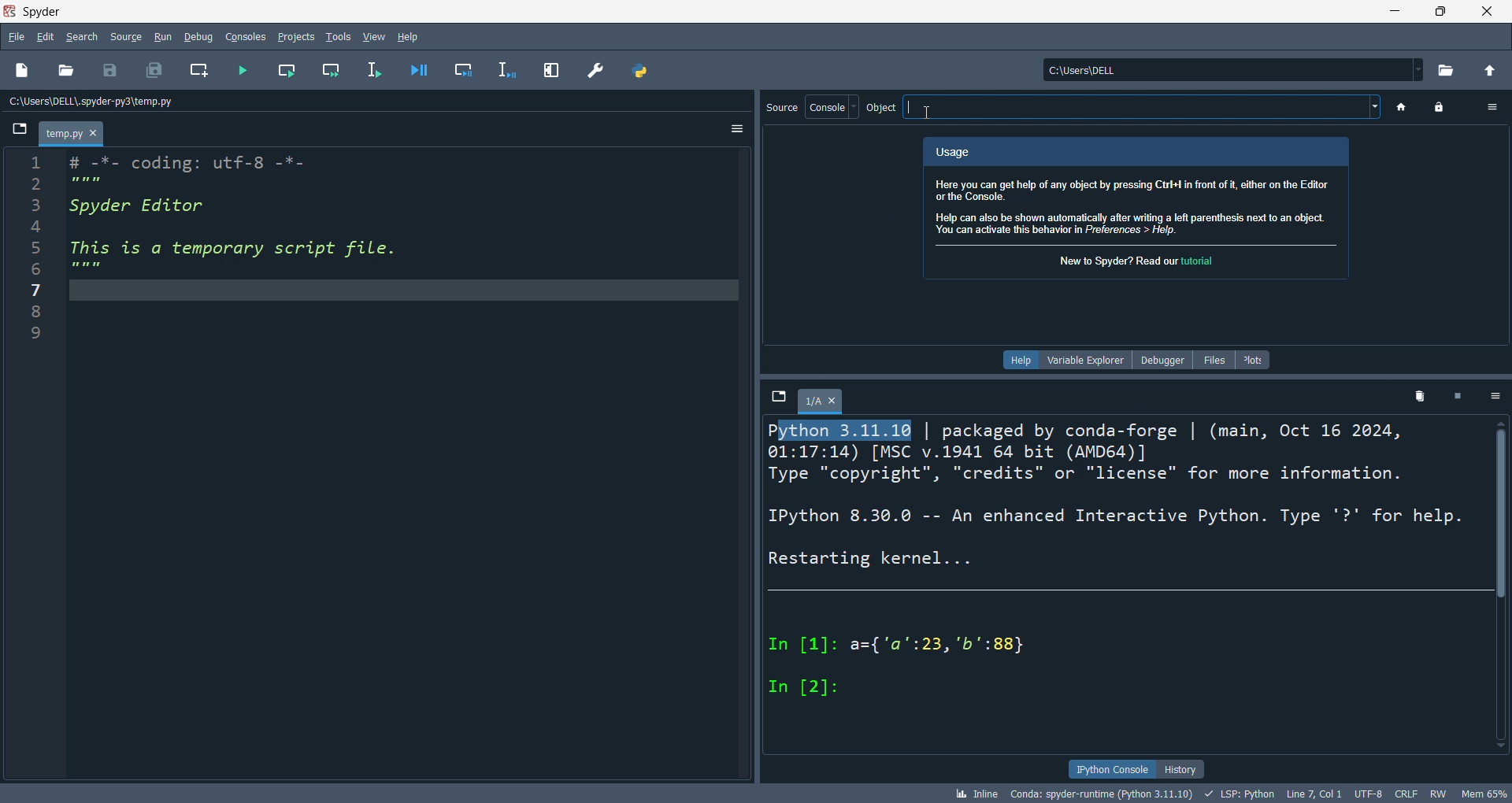  Describe the element at coordinates (398, 461) in the screenshot. I see `# -*- coding: utf-8 -*-
Spyder Editor
This is a temporary script file.` at that location.